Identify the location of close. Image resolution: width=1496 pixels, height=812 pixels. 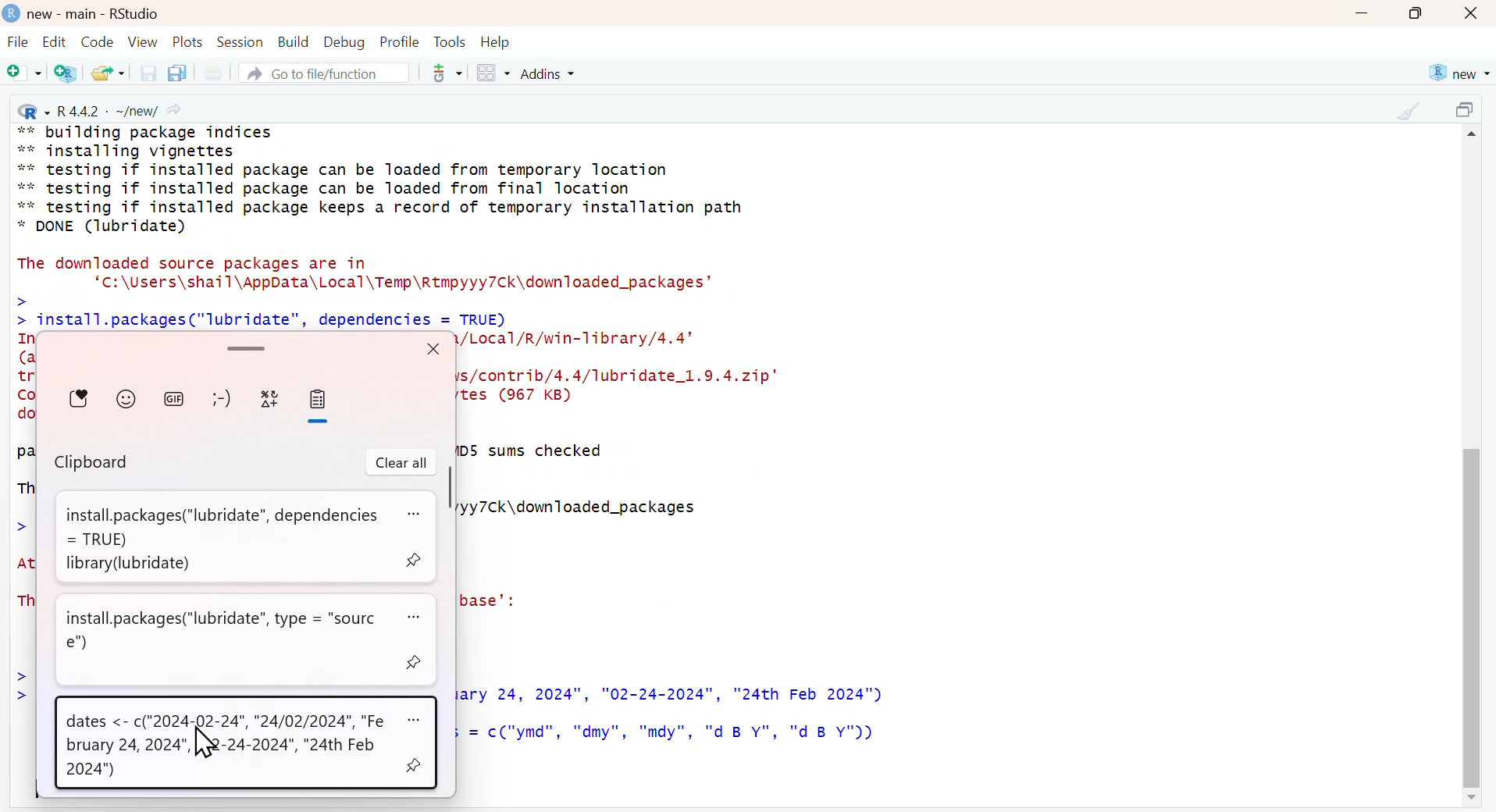
(433, 348).